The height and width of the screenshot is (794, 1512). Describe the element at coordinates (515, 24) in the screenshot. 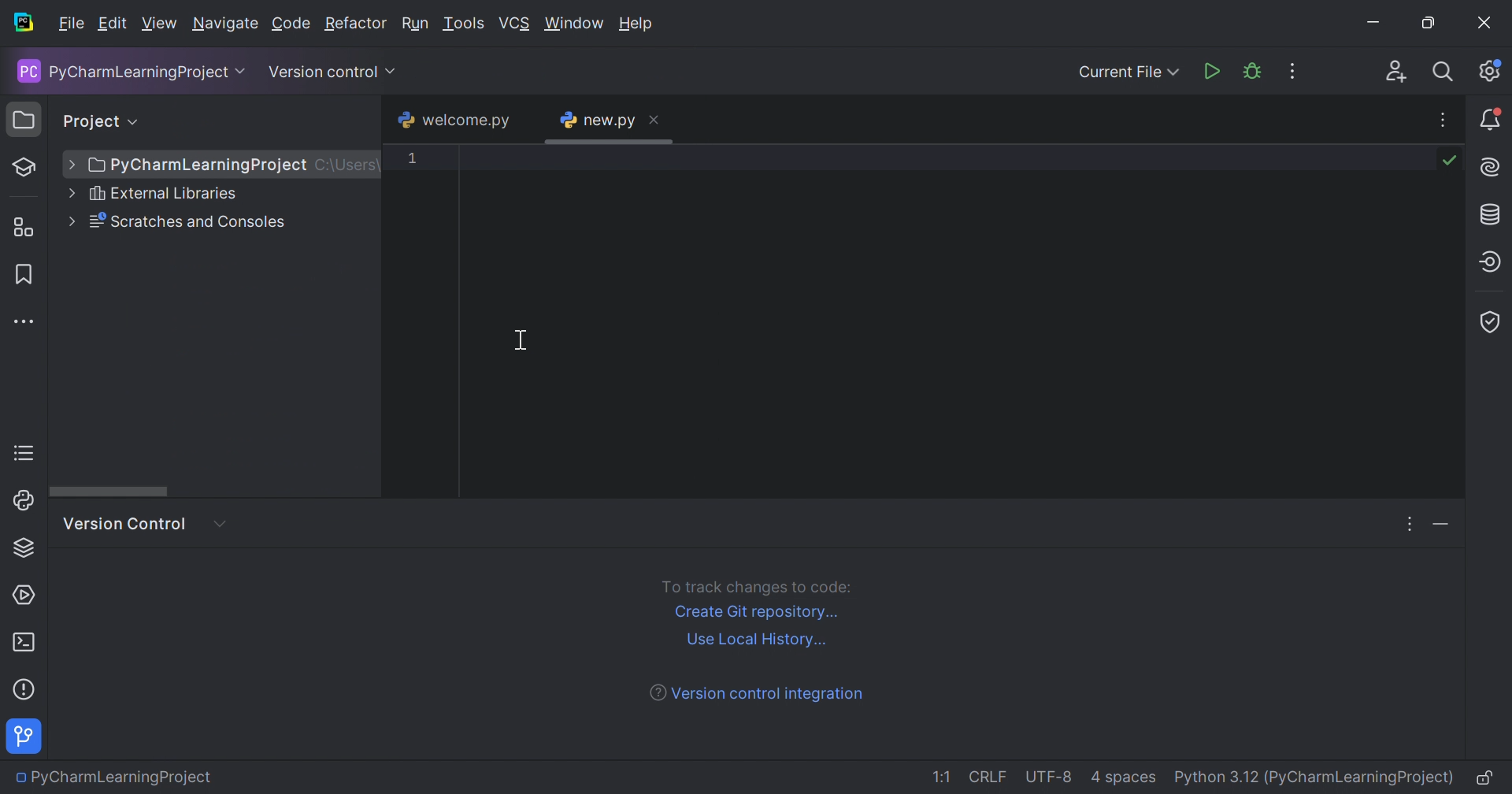

I see `VCS` at that location.